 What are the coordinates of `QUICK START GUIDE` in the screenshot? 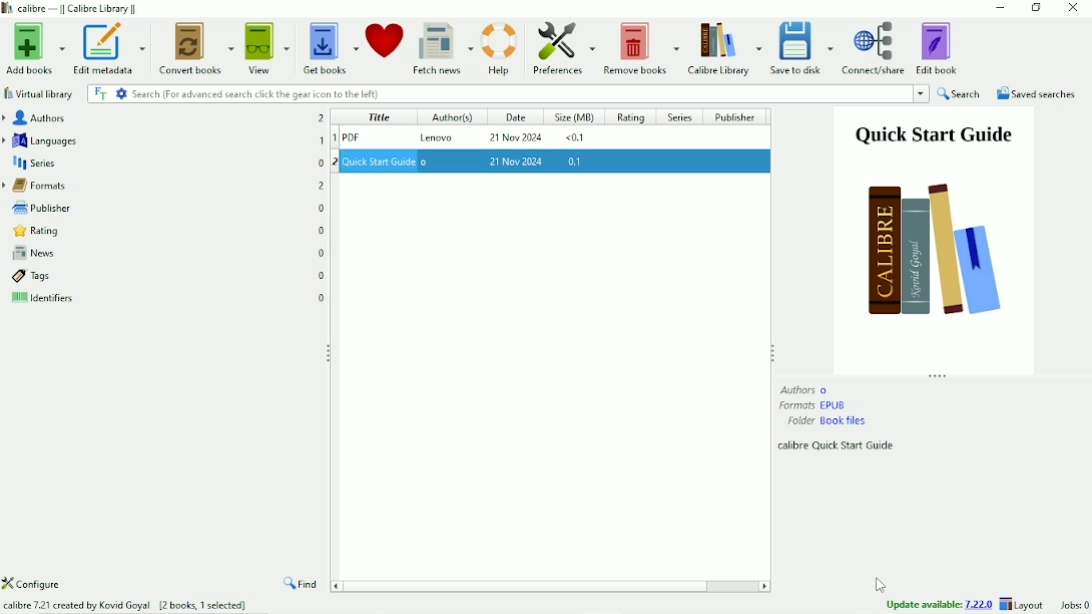 It's located at (379, 161).